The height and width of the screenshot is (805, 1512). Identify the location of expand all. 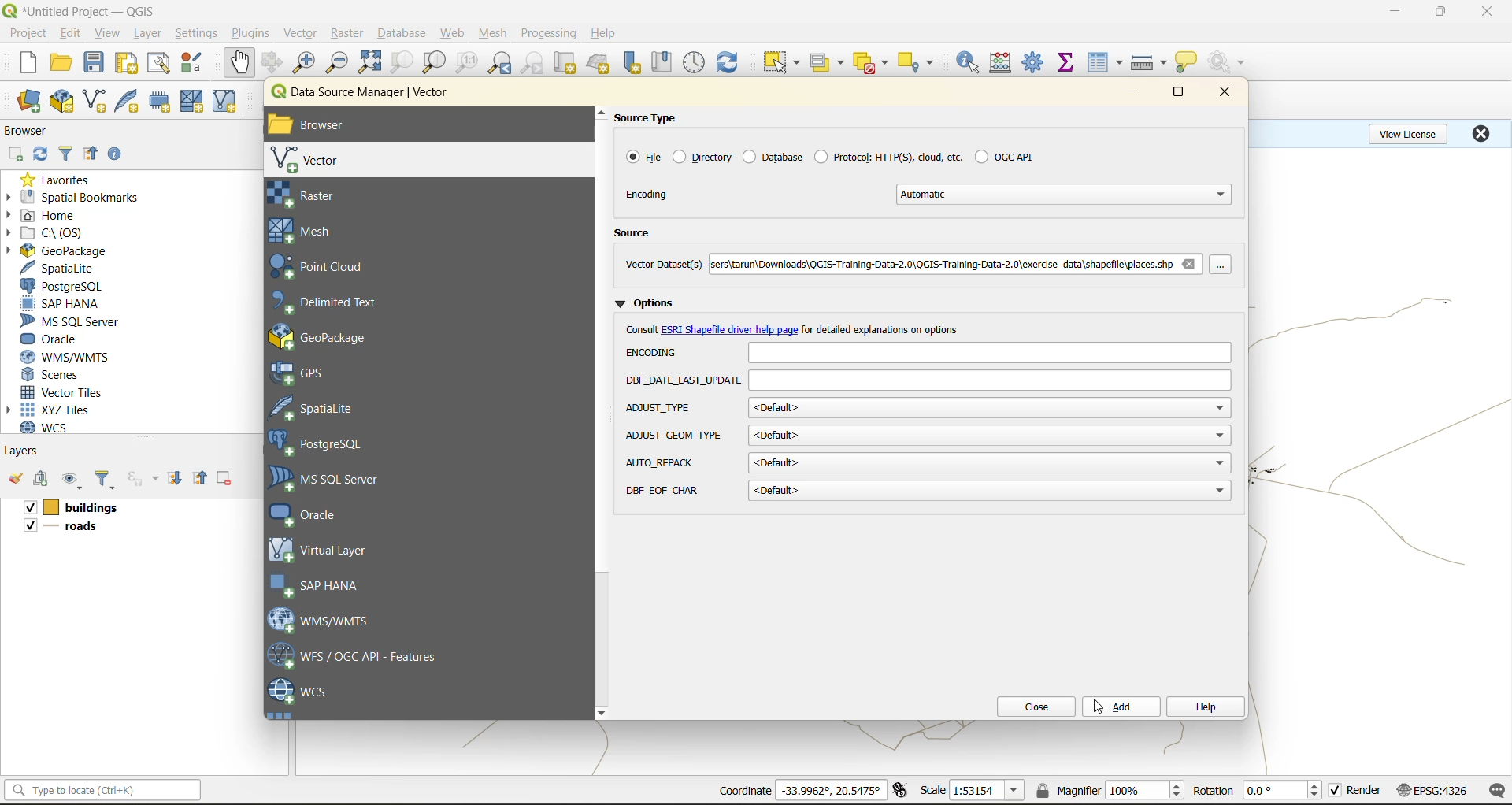
(175, 478).